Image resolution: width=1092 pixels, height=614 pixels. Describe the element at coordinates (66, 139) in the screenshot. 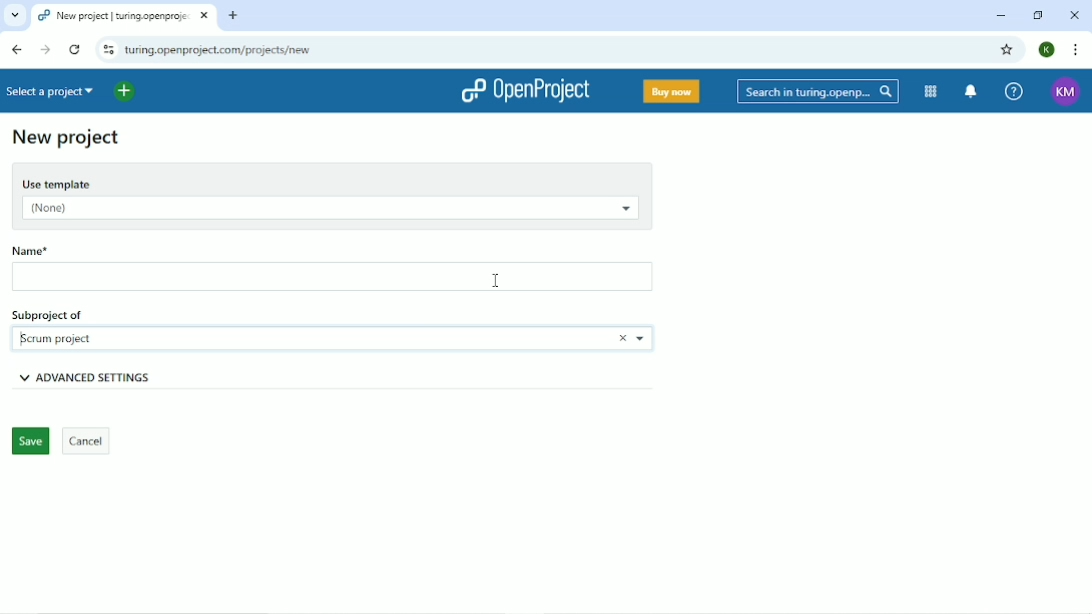

I see `New project` at that location.